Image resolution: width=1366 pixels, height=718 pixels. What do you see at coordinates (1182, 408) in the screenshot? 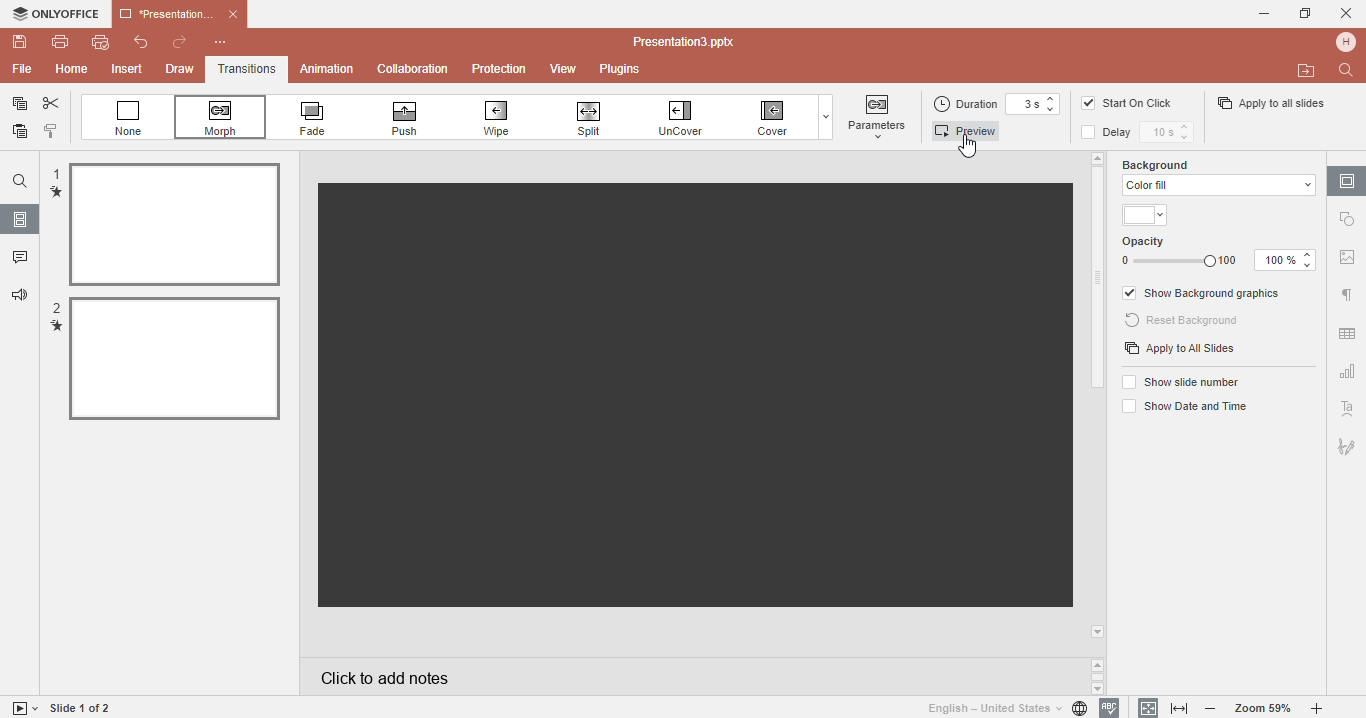
I see `Show date and time` at bounding box center [1182, 408].